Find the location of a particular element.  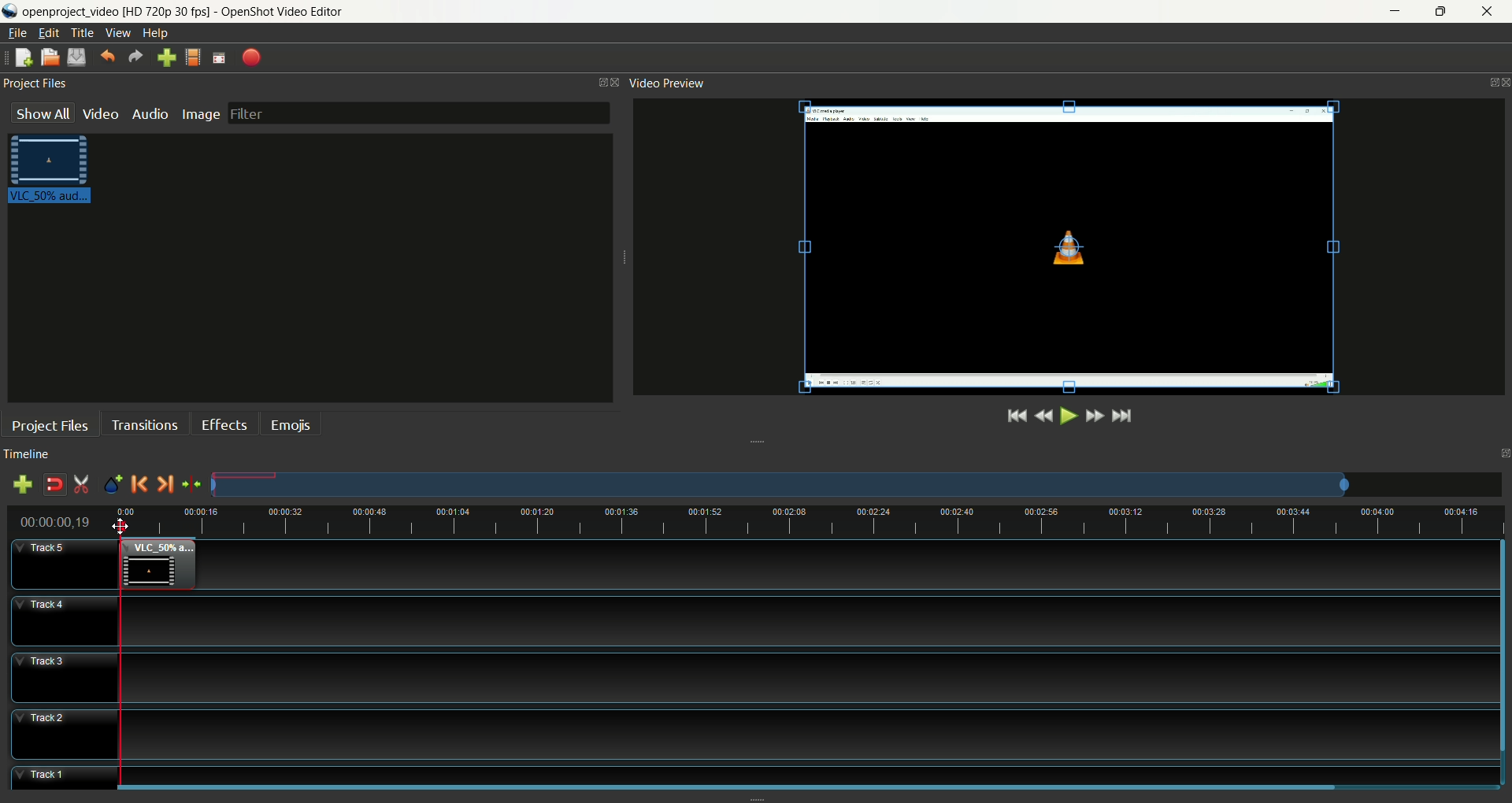

effects is located at coordinates (224, 422).